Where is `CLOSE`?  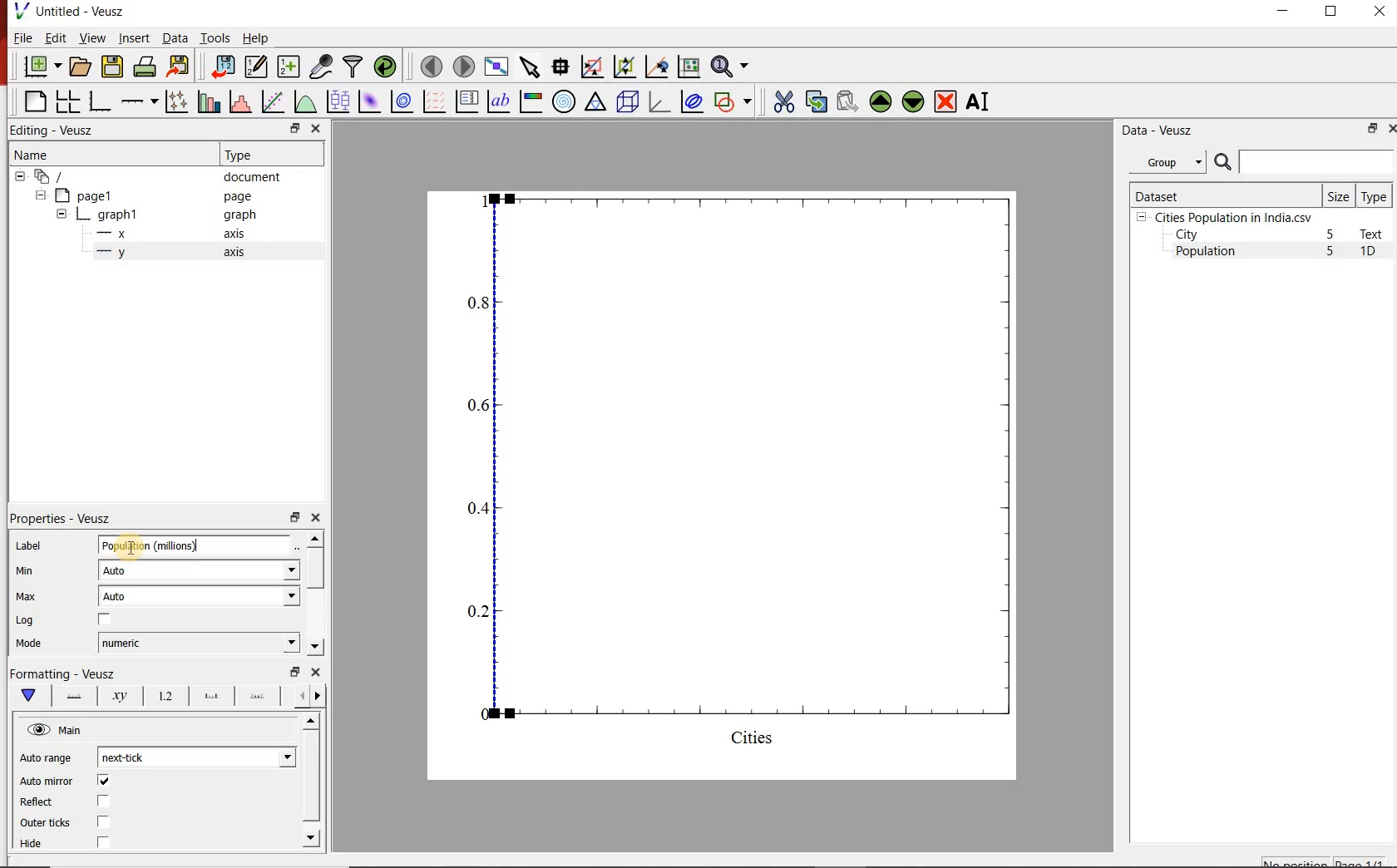
CLOSE is located at coordinates (1378, 13).